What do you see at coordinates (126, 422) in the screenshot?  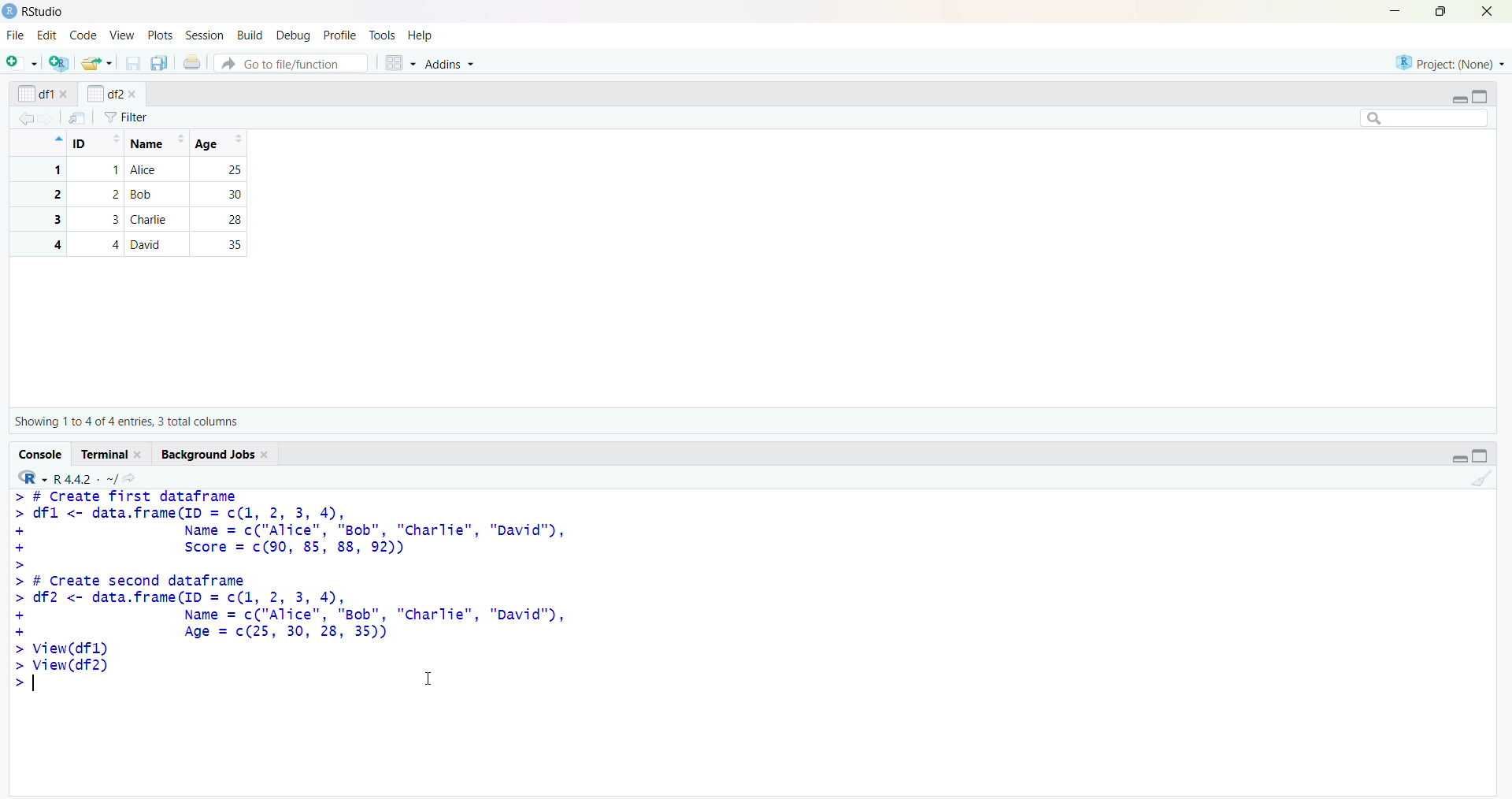 I see `Showing 1 to 4 of 4 entries, 3 total columns` at bounding box center [126, 422].